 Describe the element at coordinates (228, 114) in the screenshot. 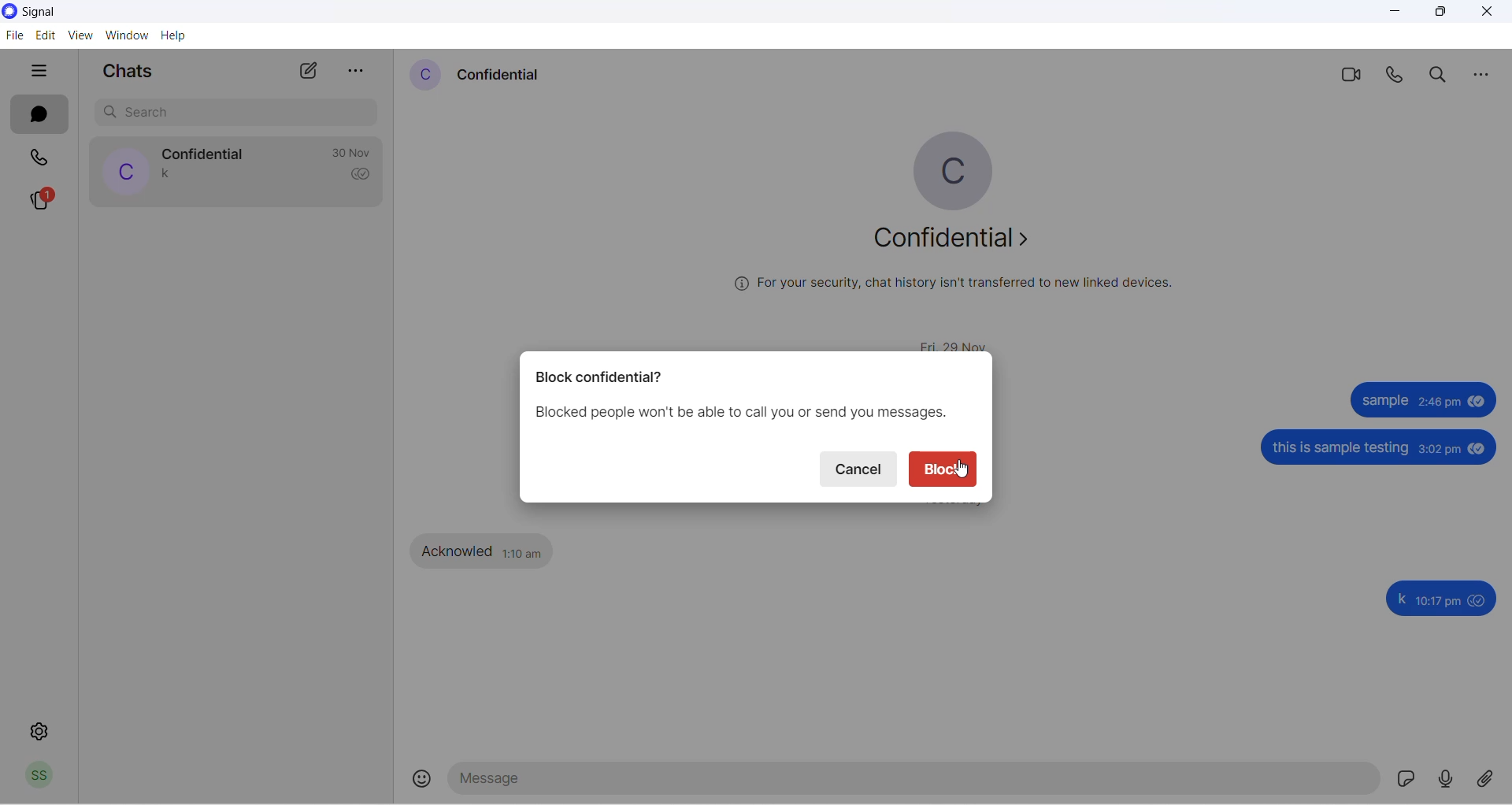

I see `search chat` at that location.